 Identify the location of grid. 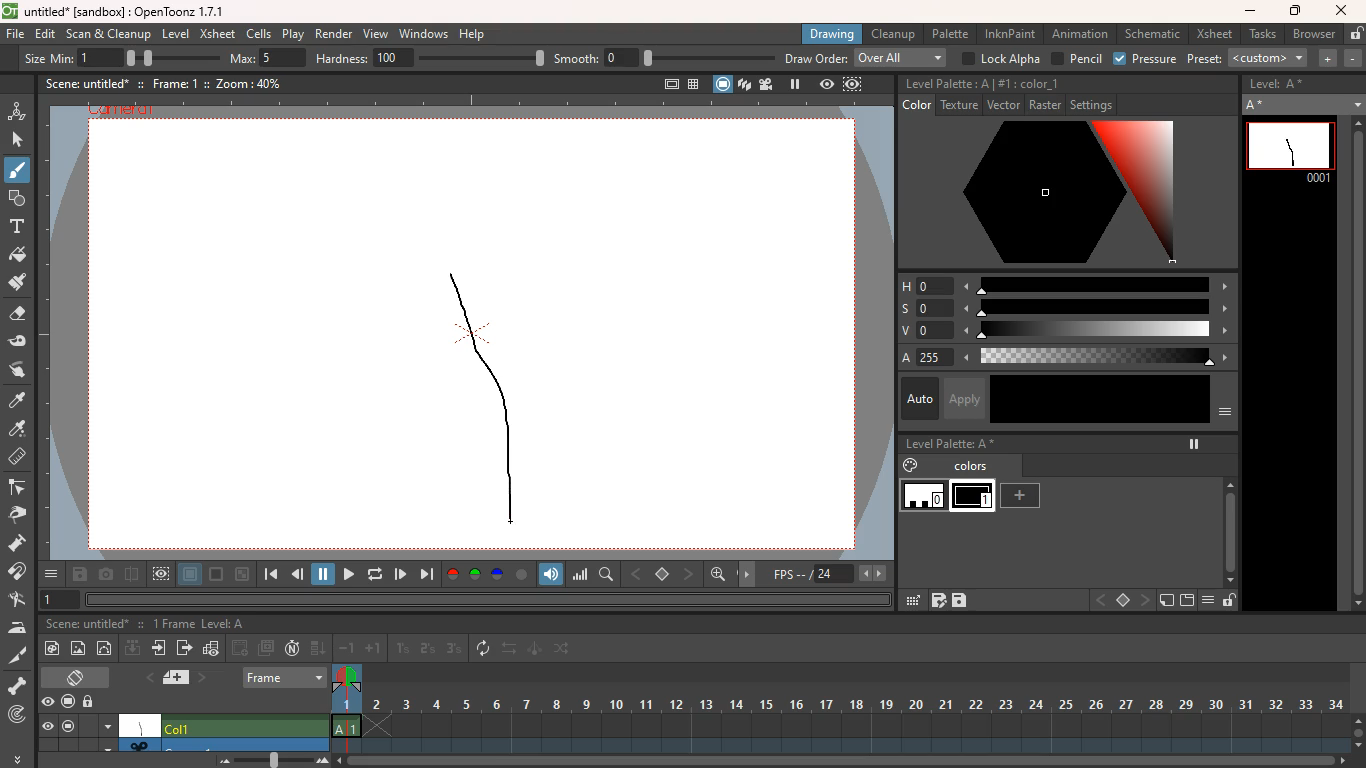
(938, 602).